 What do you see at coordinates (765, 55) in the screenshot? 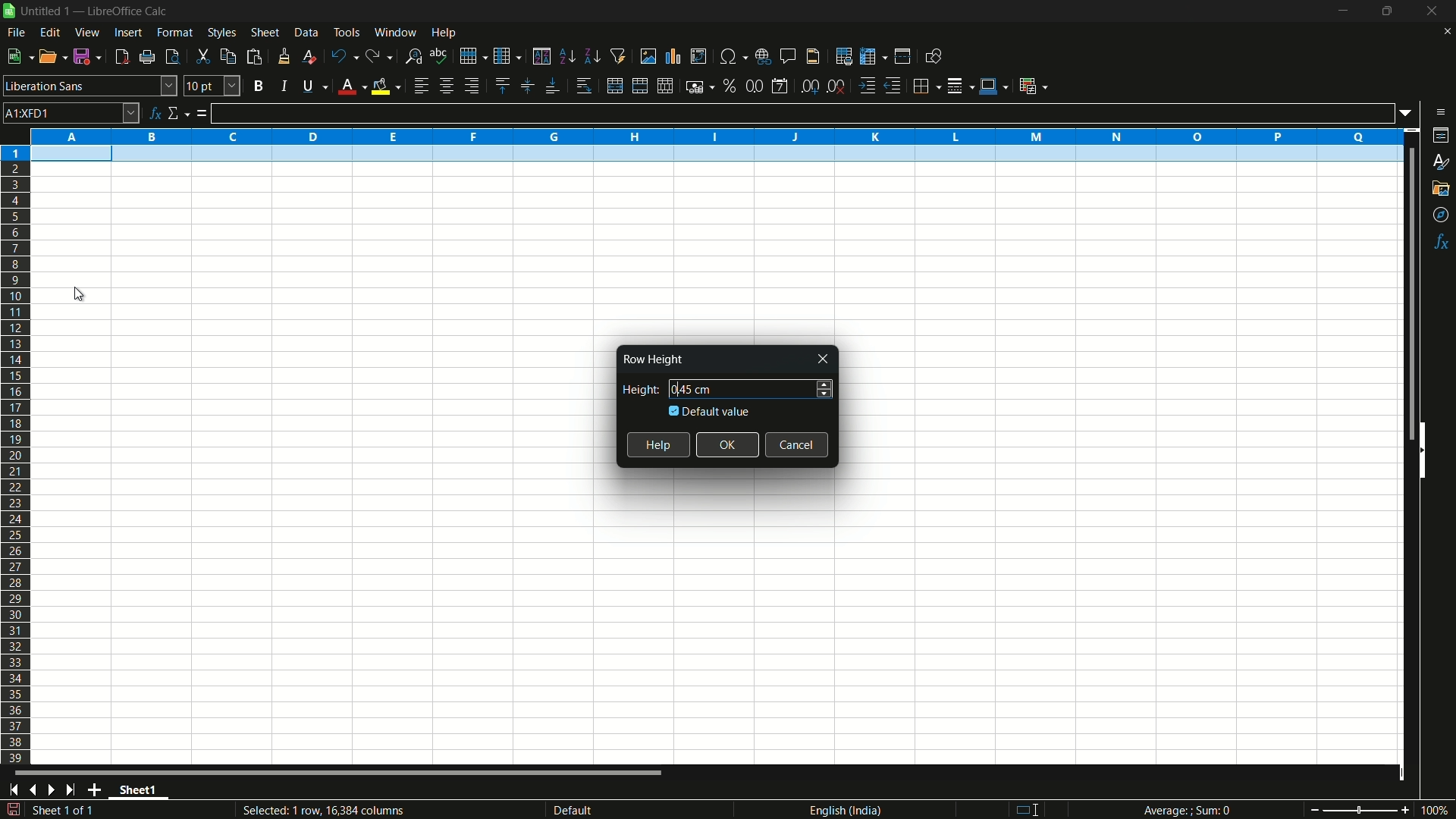
I see `insert hyperlink` at bounding box center [765, 55].